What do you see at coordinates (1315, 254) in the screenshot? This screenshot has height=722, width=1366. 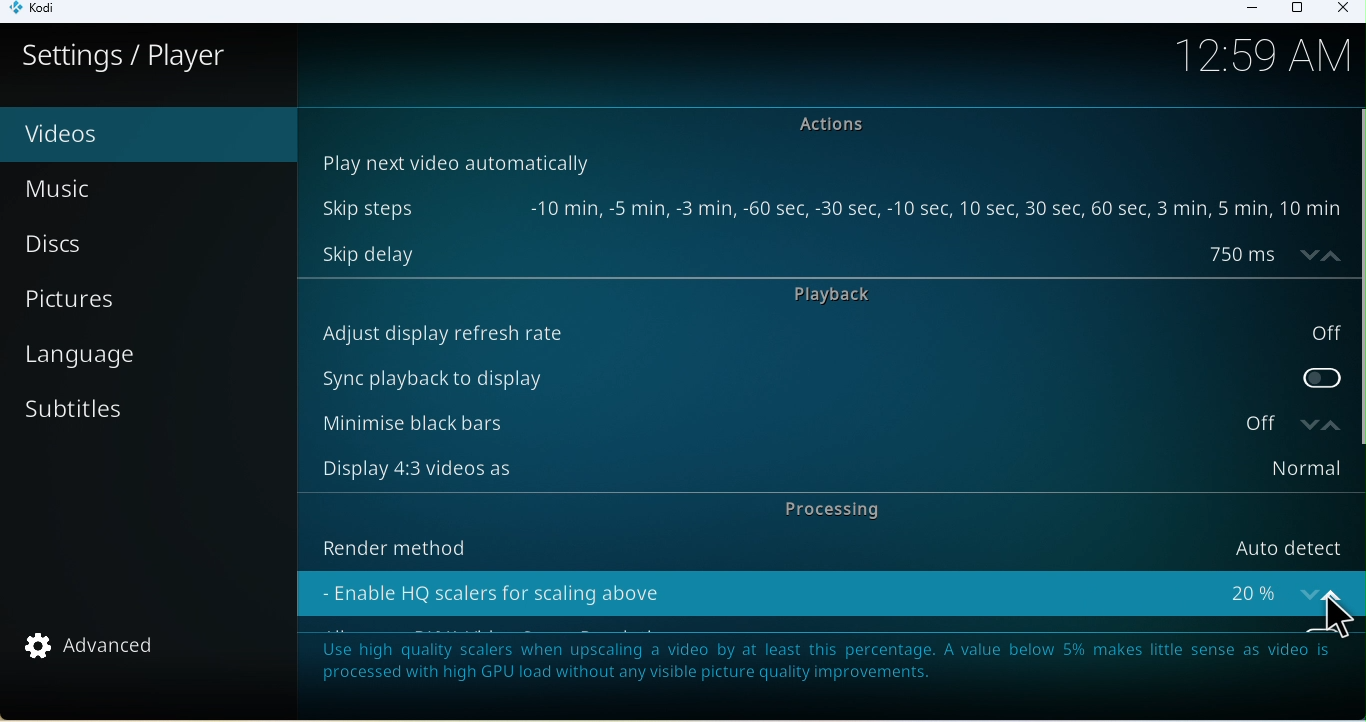 I see `increase/decrease` at bounding box center [1315, 254].